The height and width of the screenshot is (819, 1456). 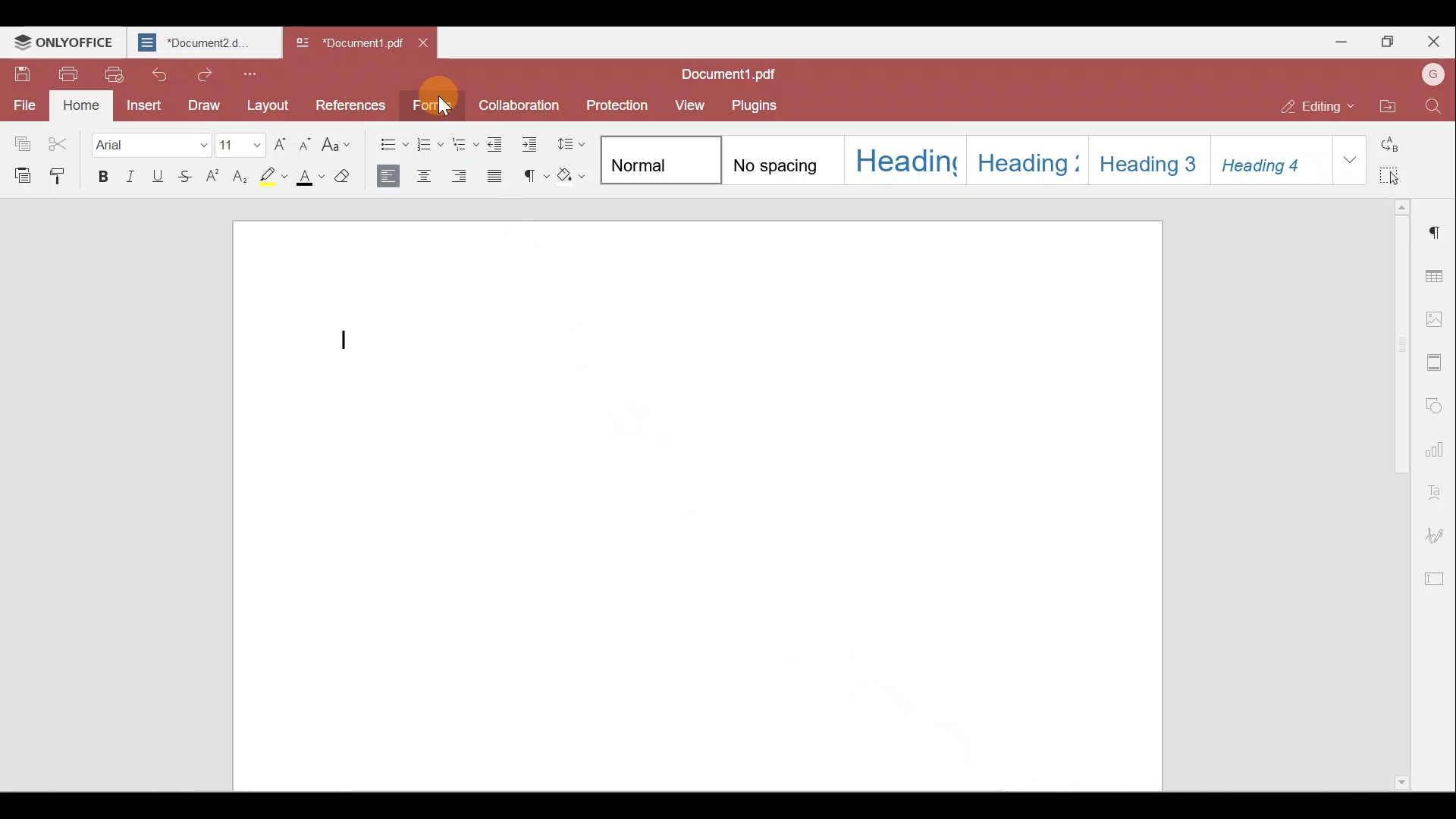 What do you see at coordinates (21, 138) in the screenshot?
I see `Copy` at bounding box center [21, 138].